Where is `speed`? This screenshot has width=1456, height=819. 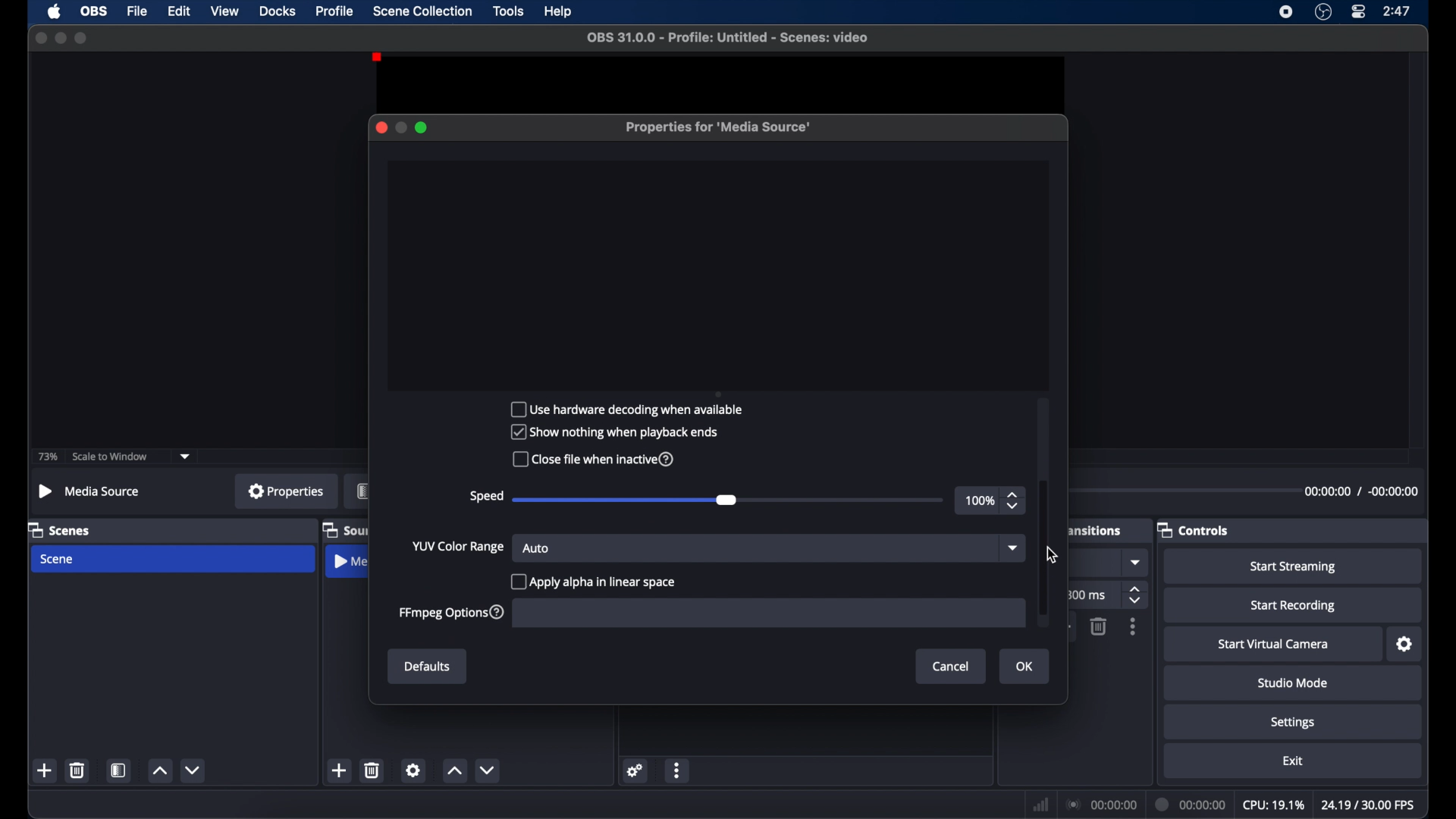 speed is located at coordinates (486, 497).